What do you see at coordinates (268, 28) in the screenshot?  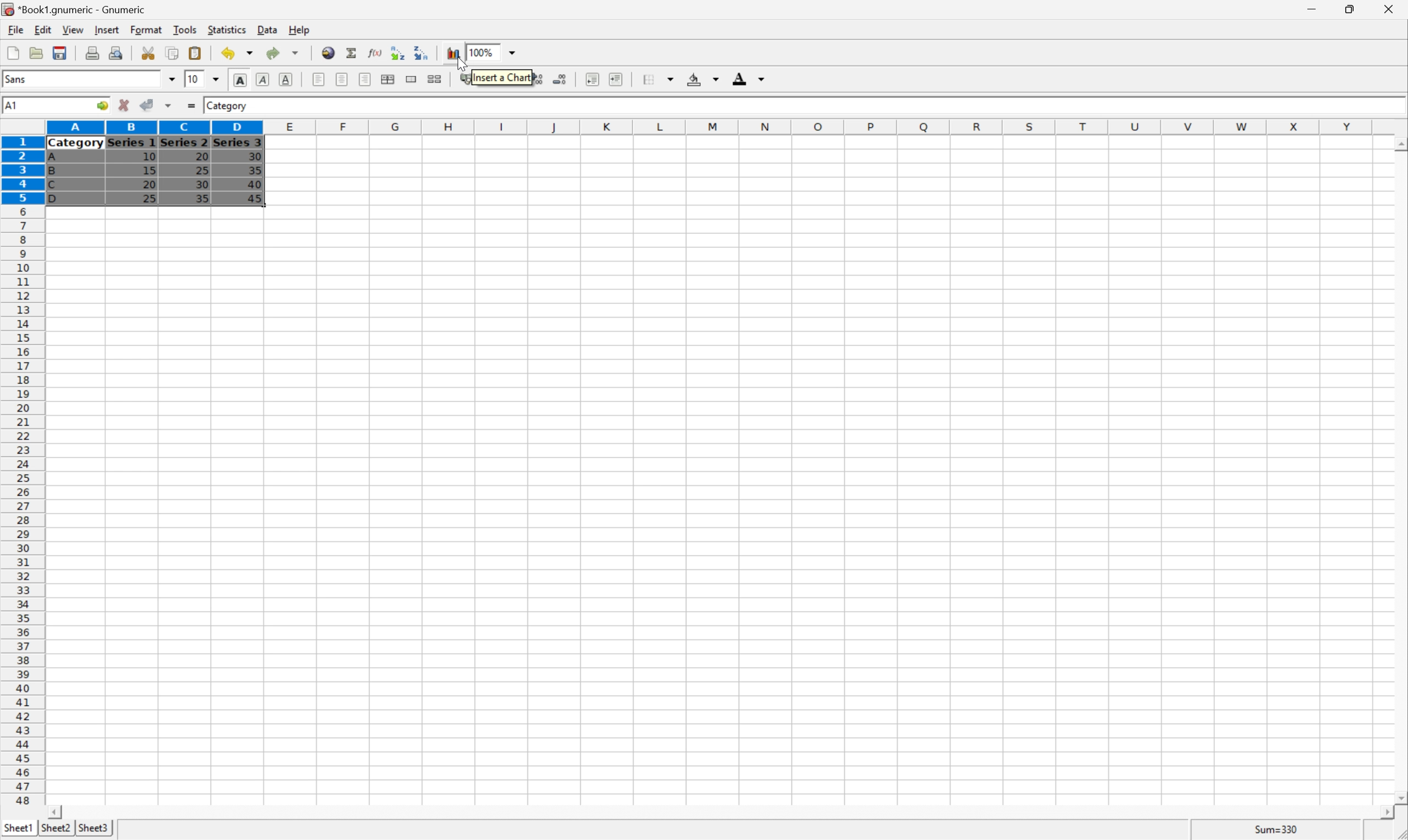 I see `Data` at bounding box center [268, 28].